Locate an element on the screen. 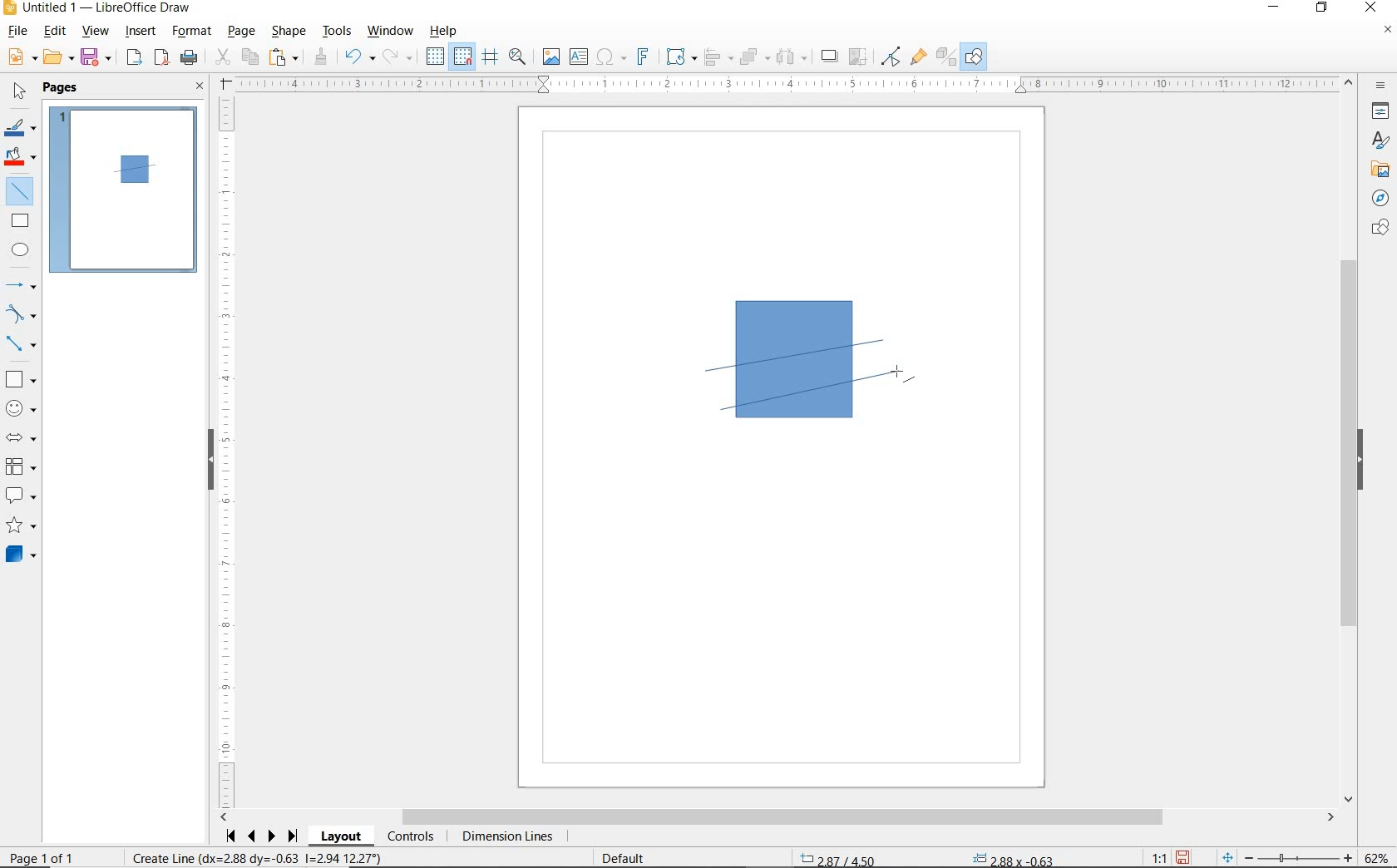 This screenshot has width=1397, height=868. GALLERY is located at coordinates (1378, 168).